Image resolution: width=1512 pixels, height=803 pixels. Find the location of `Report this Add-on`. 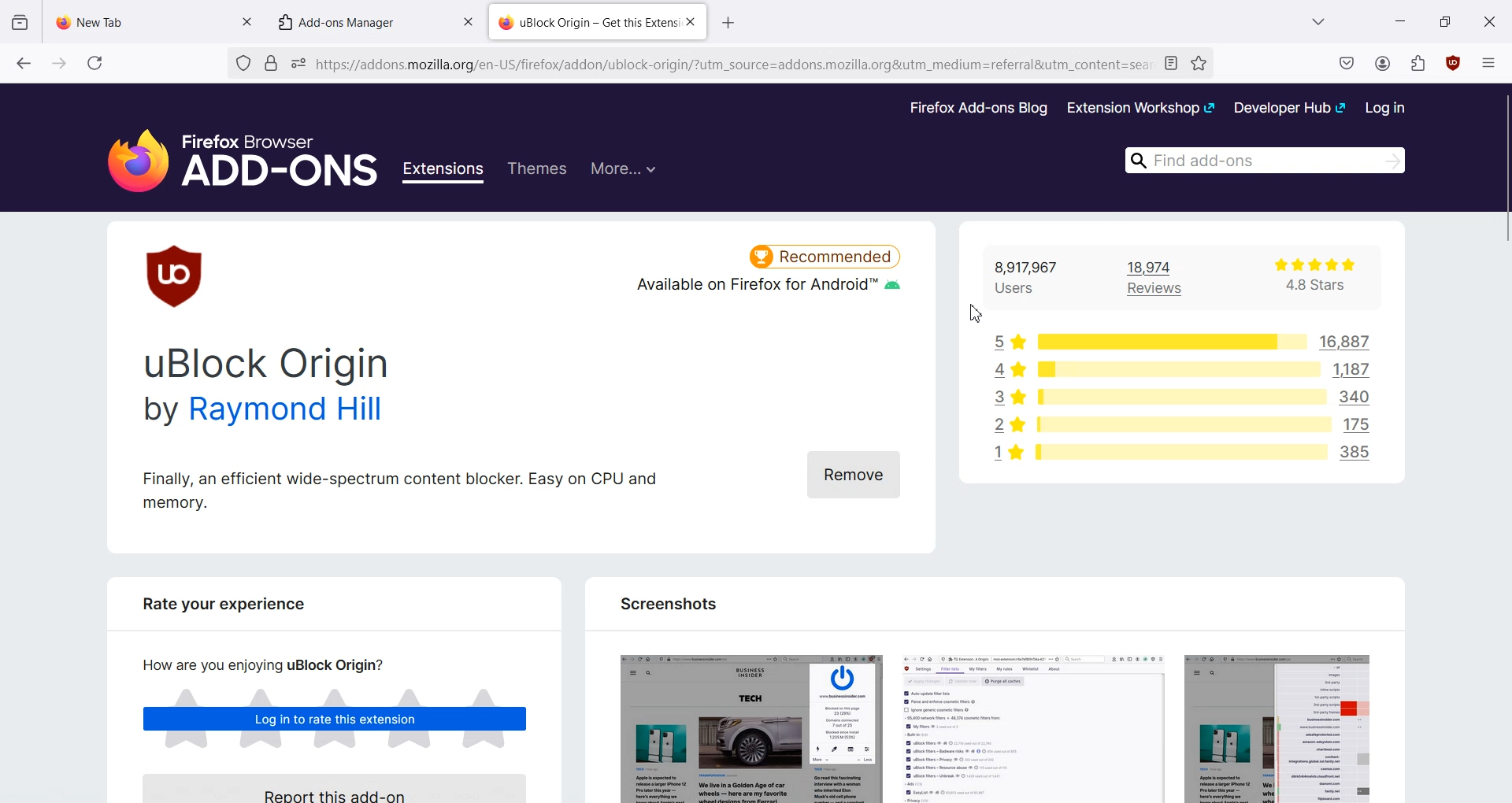

Report this Add-on is located at coordinates (344, 786).